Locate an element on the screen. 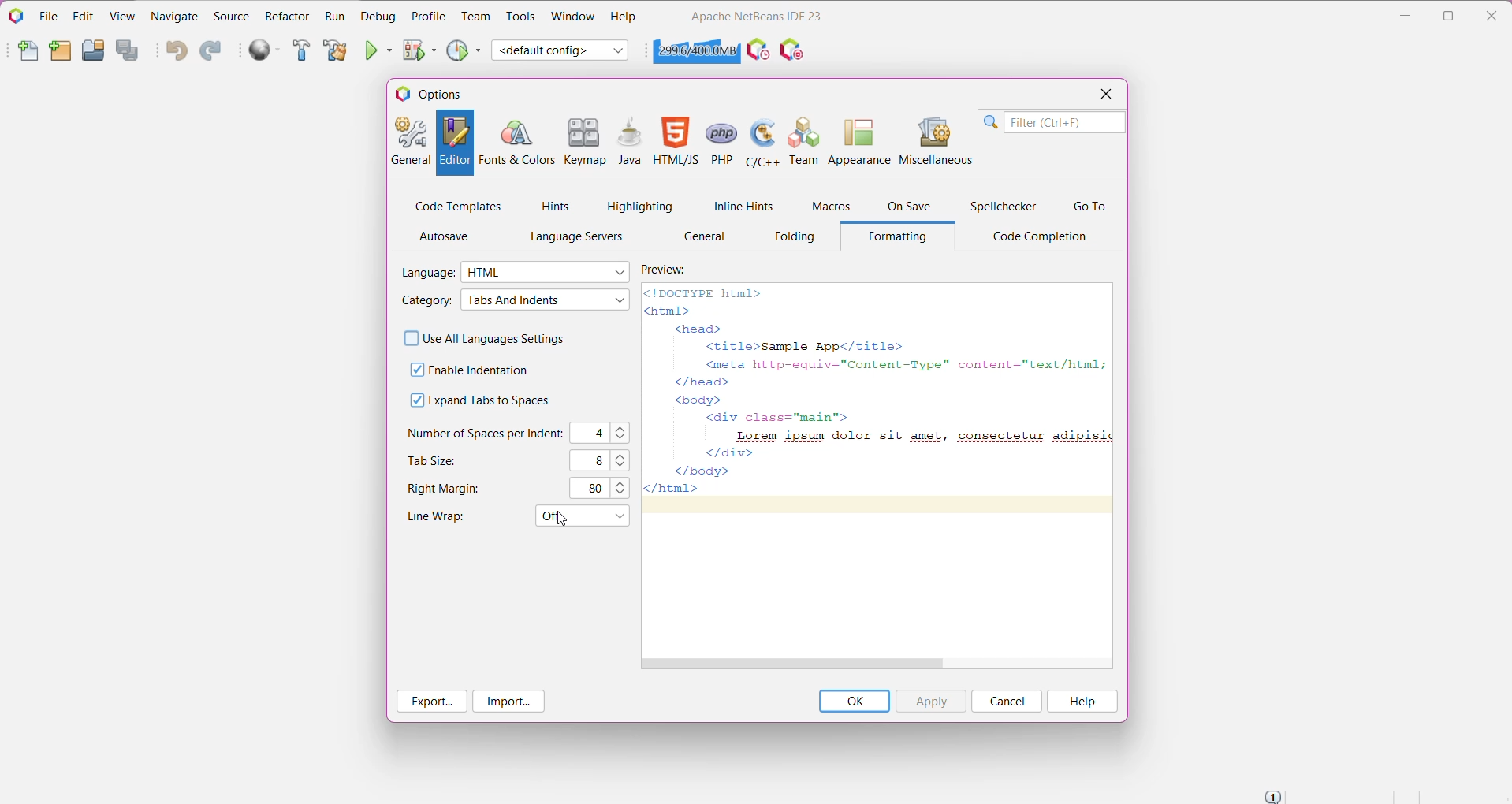  Spellchecker is located at coordinates (1005, 207).